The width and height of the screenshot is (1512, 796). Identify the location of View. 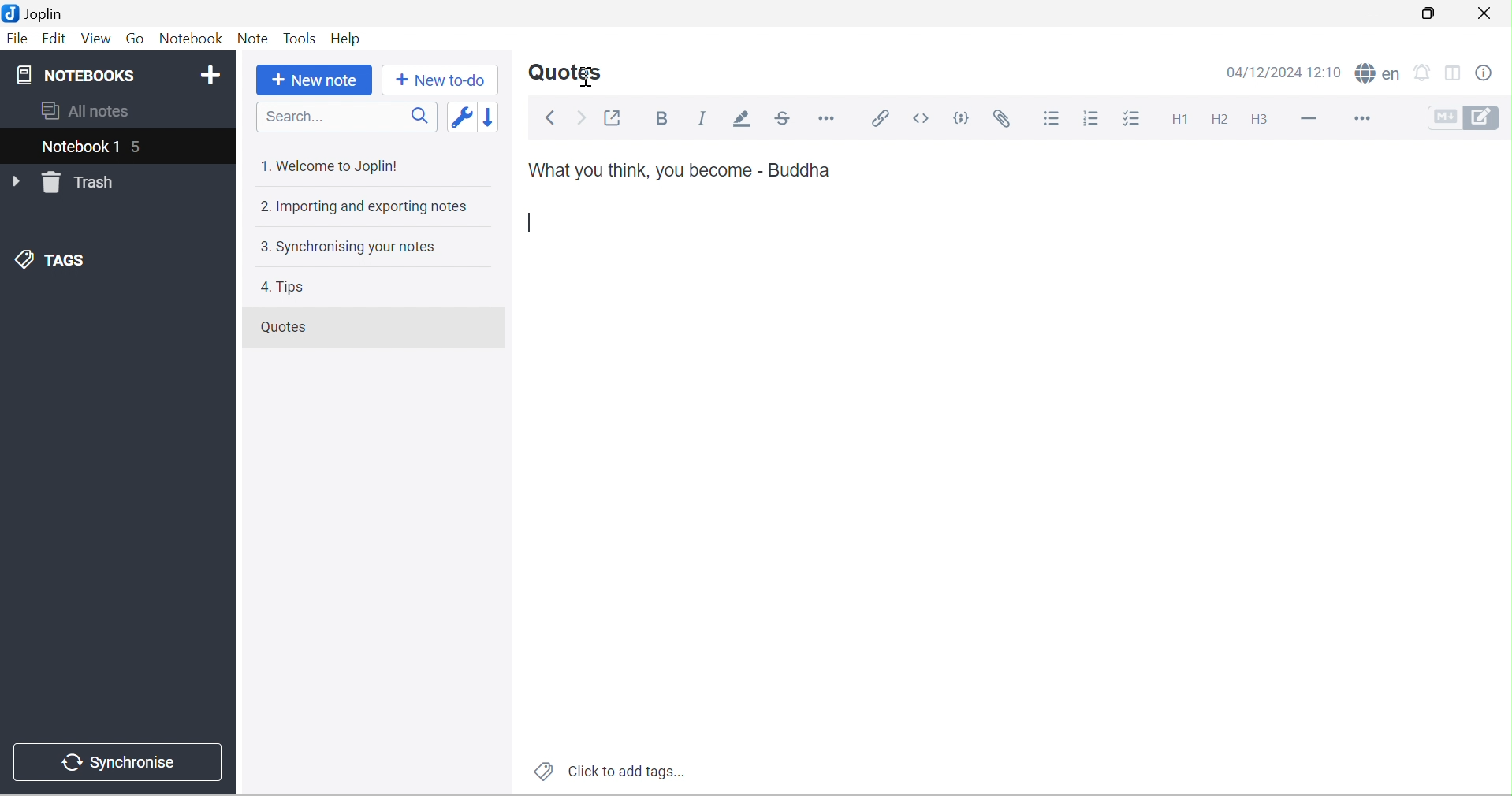
(97, 39).